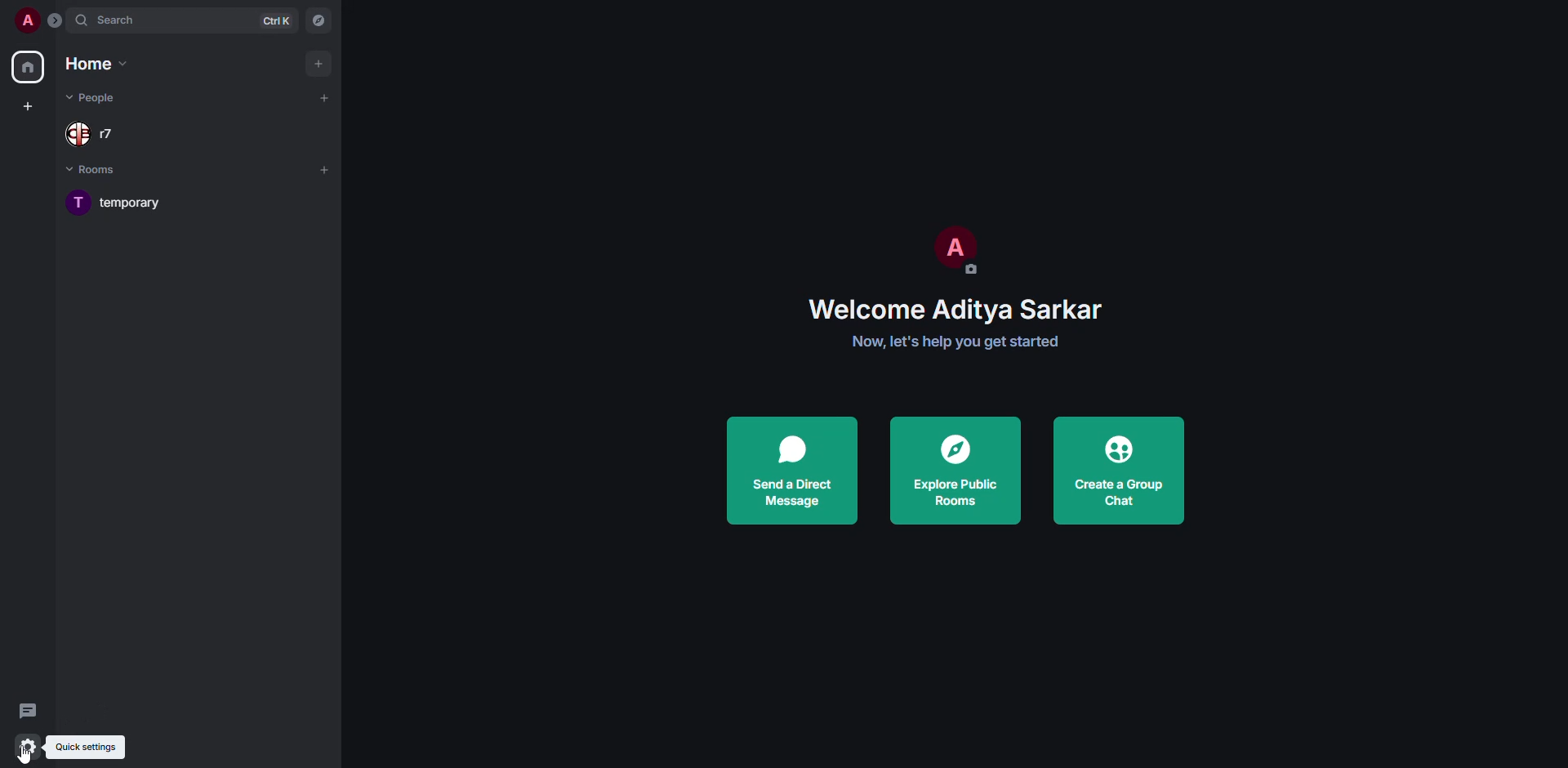  I want to click on get started, so click(955, 343).